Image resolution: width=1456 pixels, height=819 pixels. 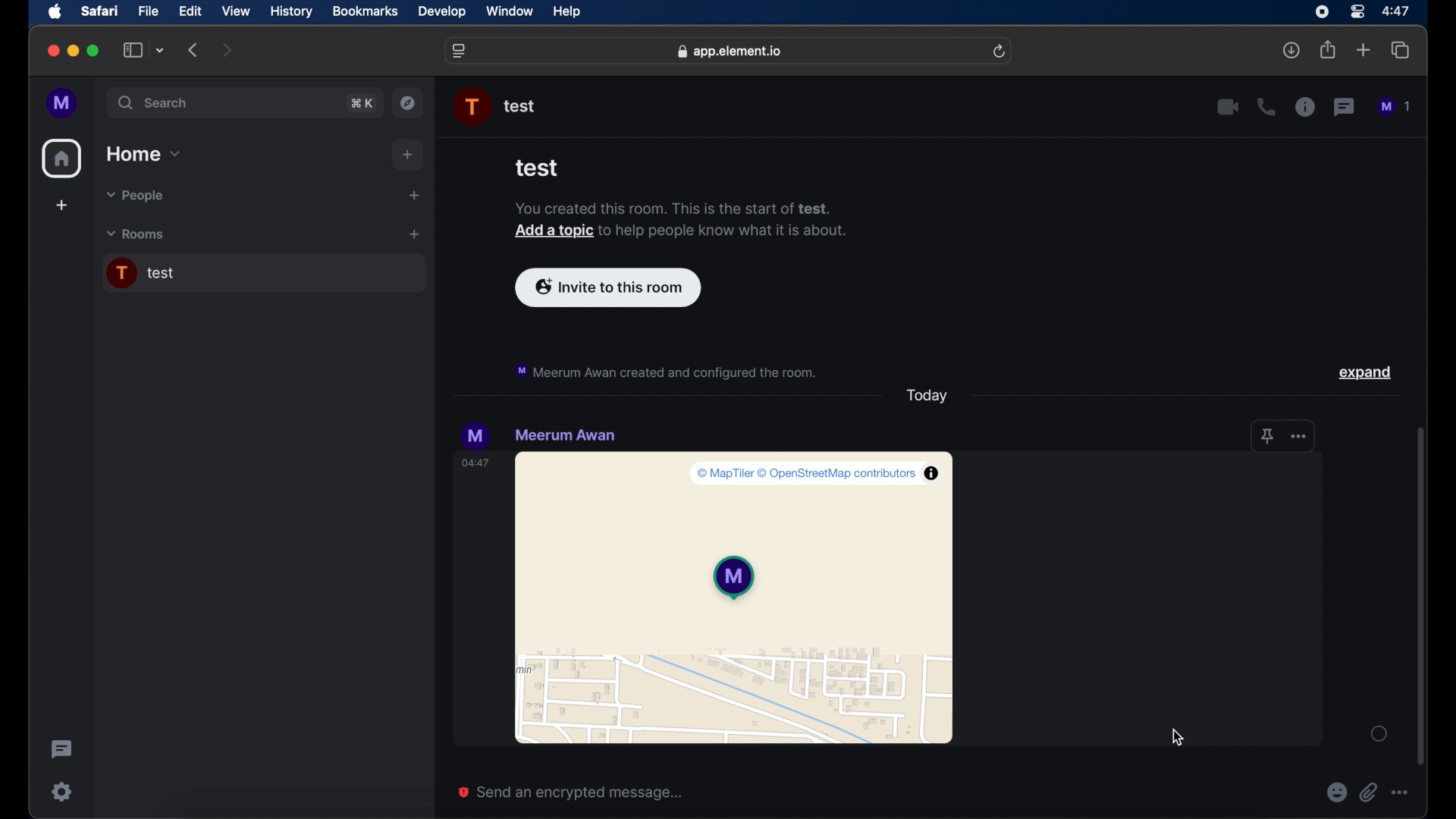 What do you see at coordinates (1401, 51) in the screenshot?
I see `show tab overview` at bounding box center [1401, 51].